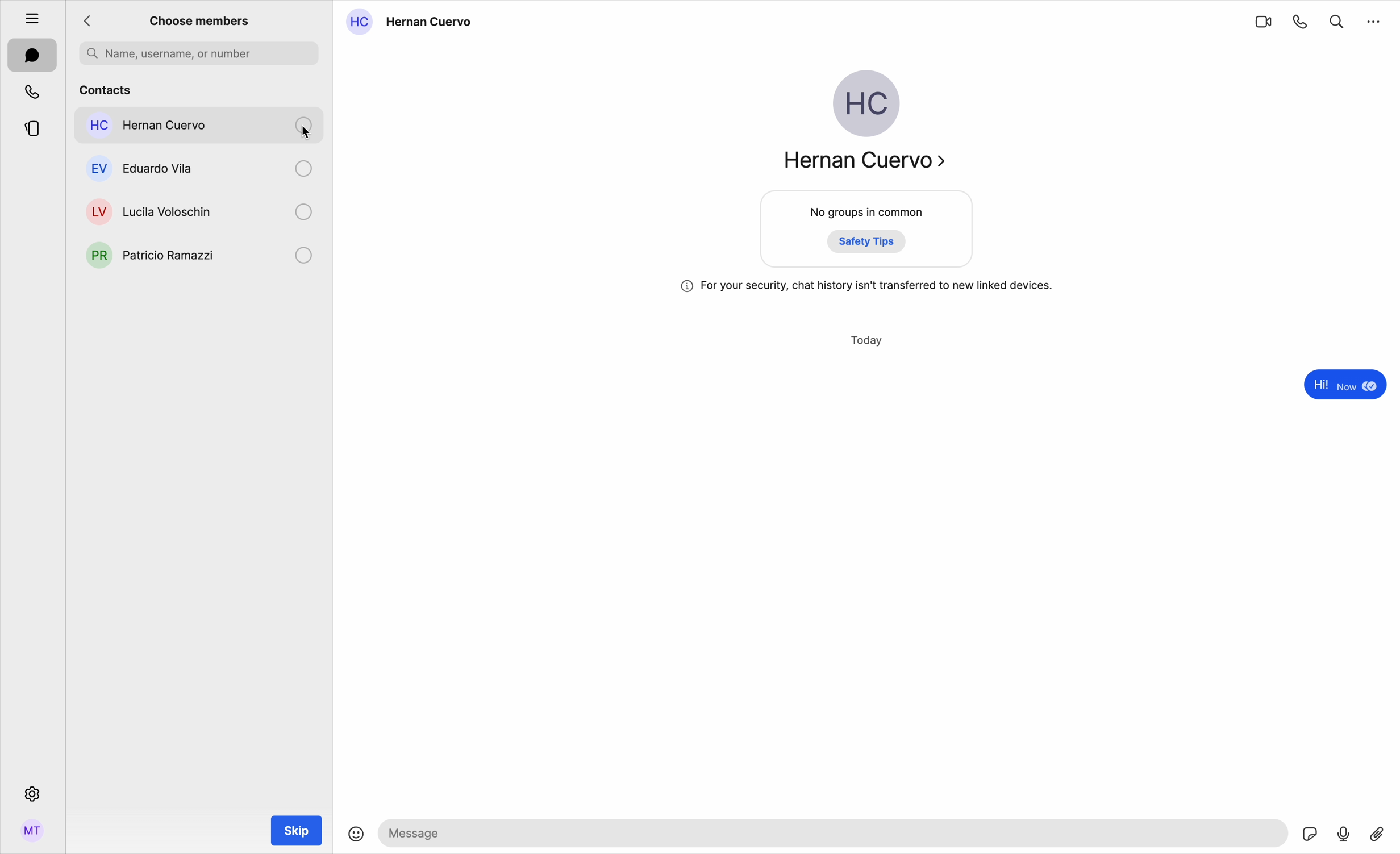 This screenshot has height=854, width=1400. Describe the element at coordinates (314, 134) in the screenshot. I see `cursor ` at that location.